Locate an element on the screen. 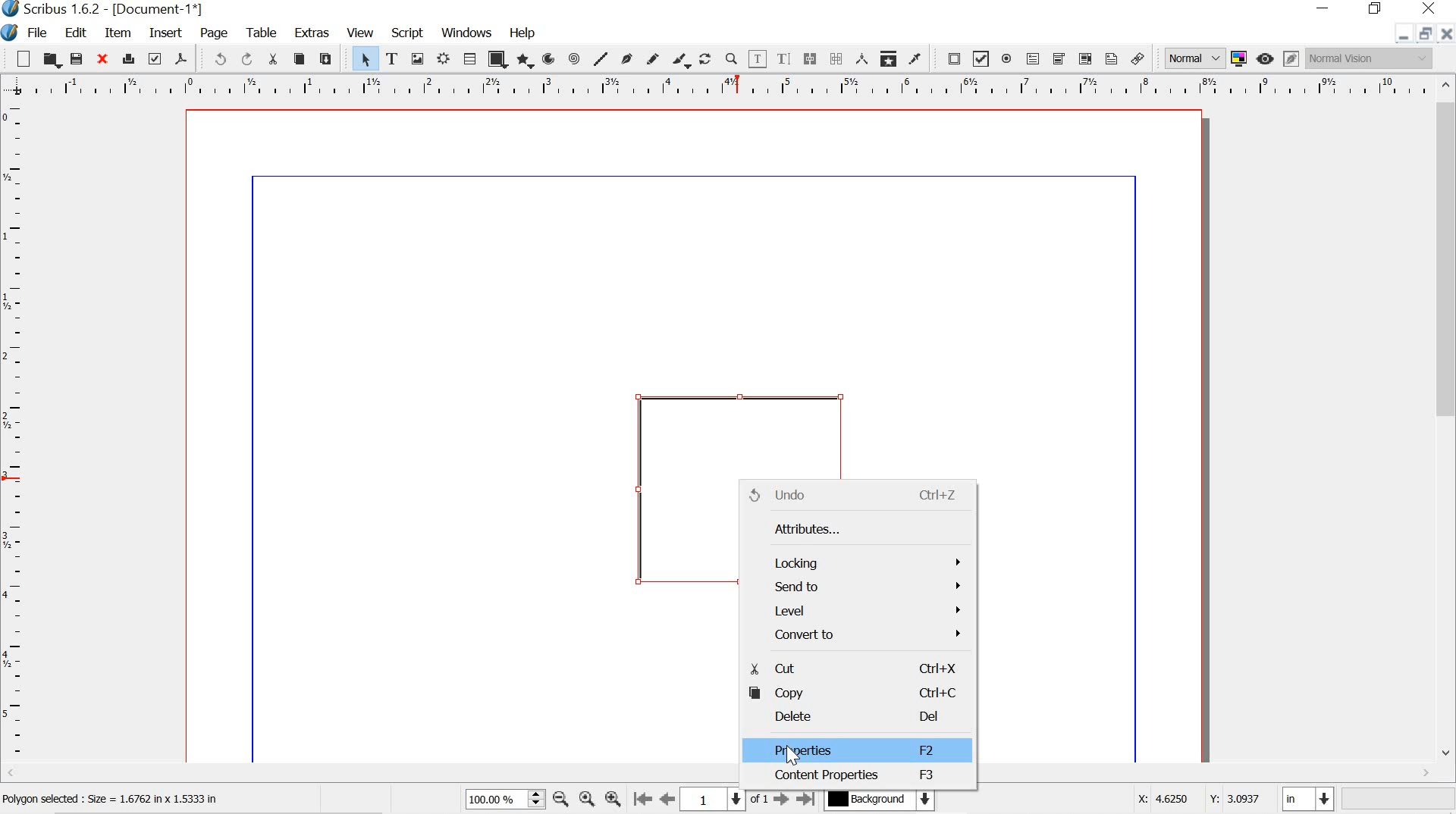 The image size is (1456, 814). HELP is located at coordinates (524, 31).